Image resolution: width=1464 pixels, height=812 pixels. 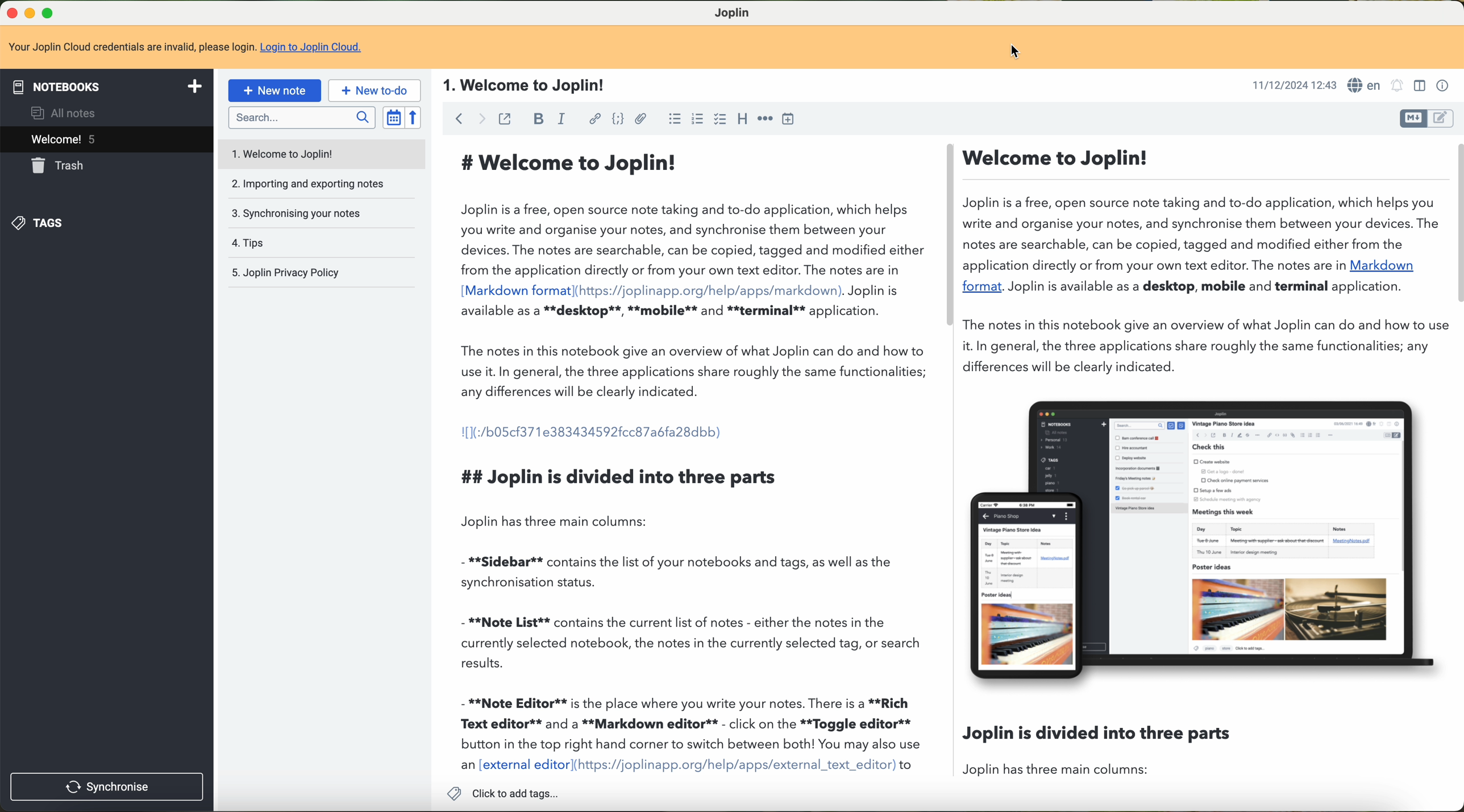 I want to click on bulleted list, so click(x=674, y=119).